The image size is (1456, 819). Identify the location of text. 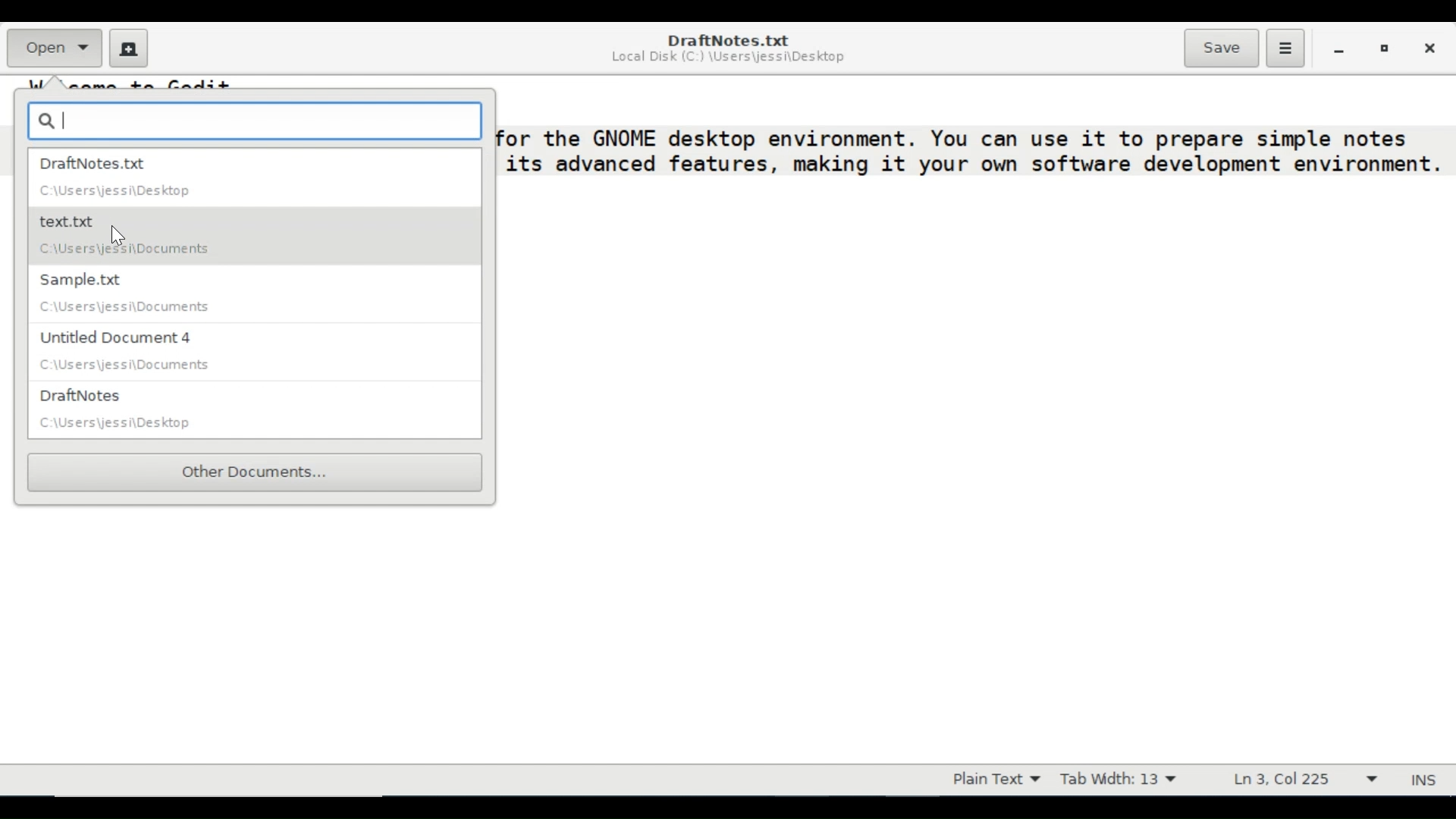
(962, 135).